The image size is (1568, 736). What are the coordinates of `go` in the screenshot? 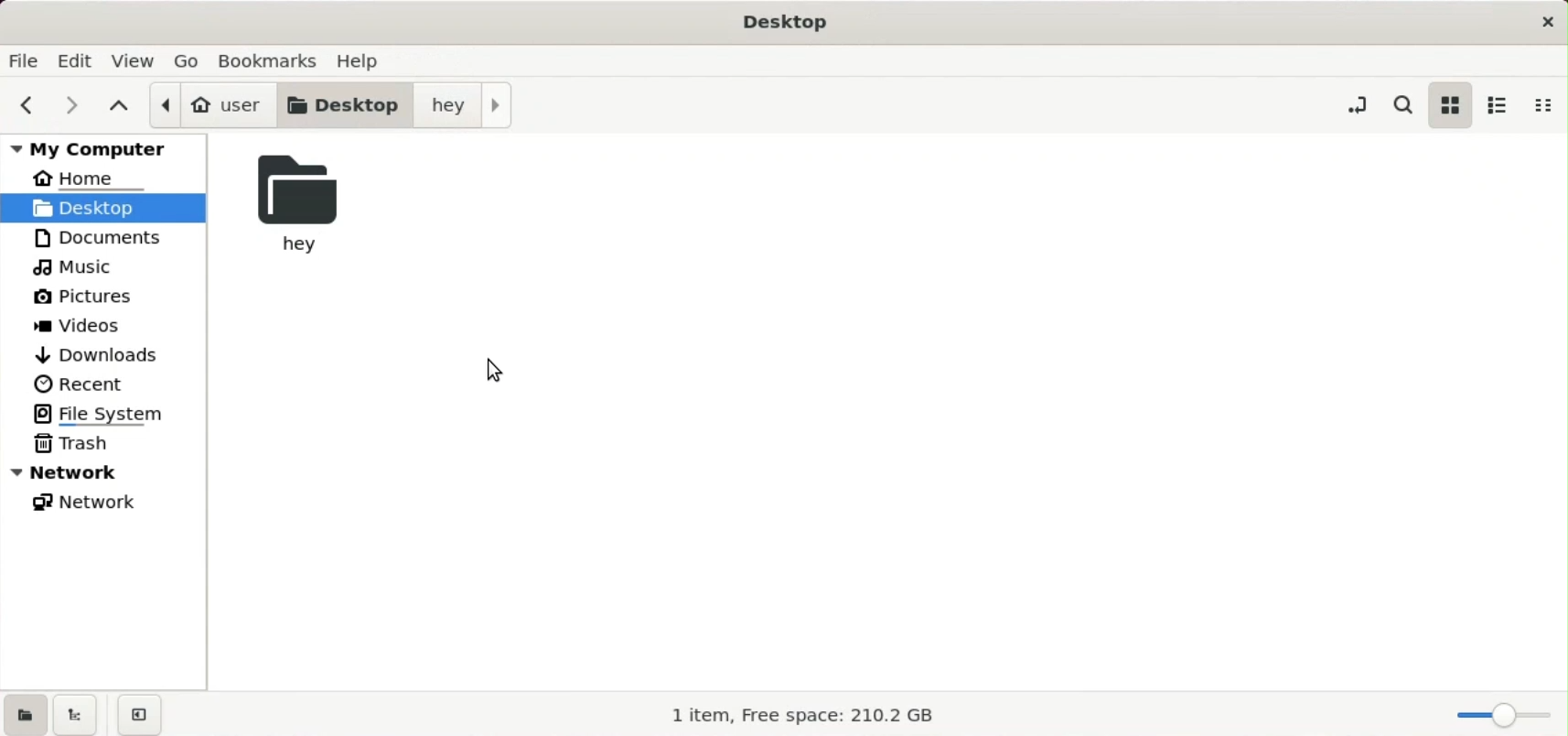 It's located at (192, 61).